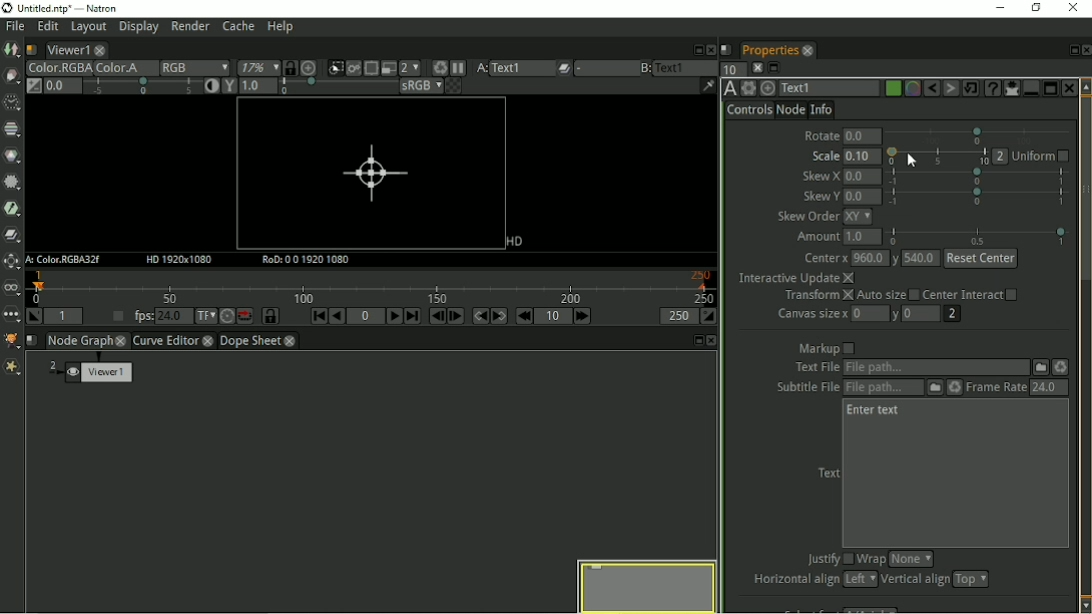 Image resolution: width=1092 pixels, height=614 pixels. I want to click on Extra, so click(11, 370).